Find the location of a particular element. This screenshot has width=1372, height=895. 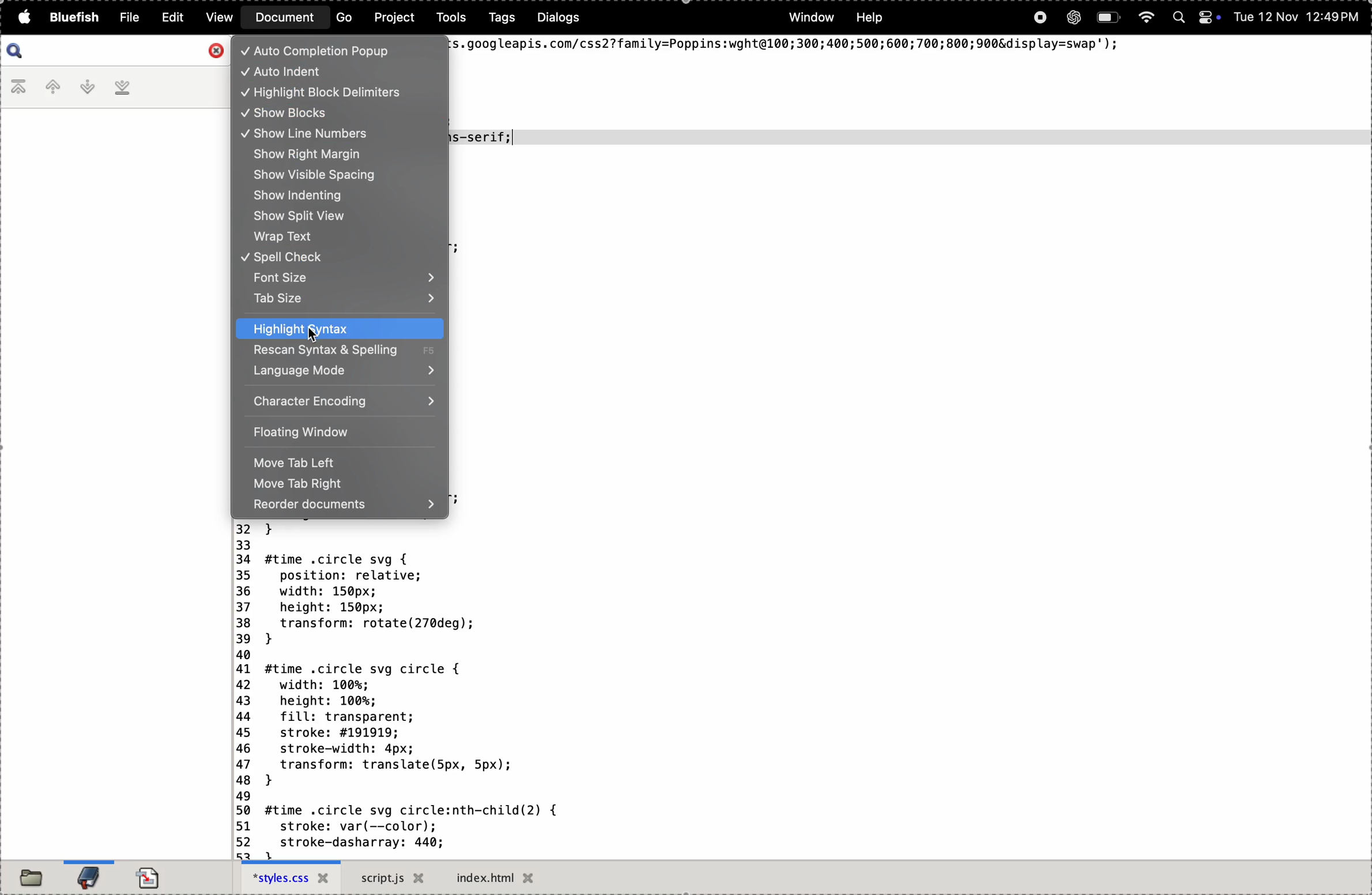

chatgpt is located at coordinates (1071, 19).